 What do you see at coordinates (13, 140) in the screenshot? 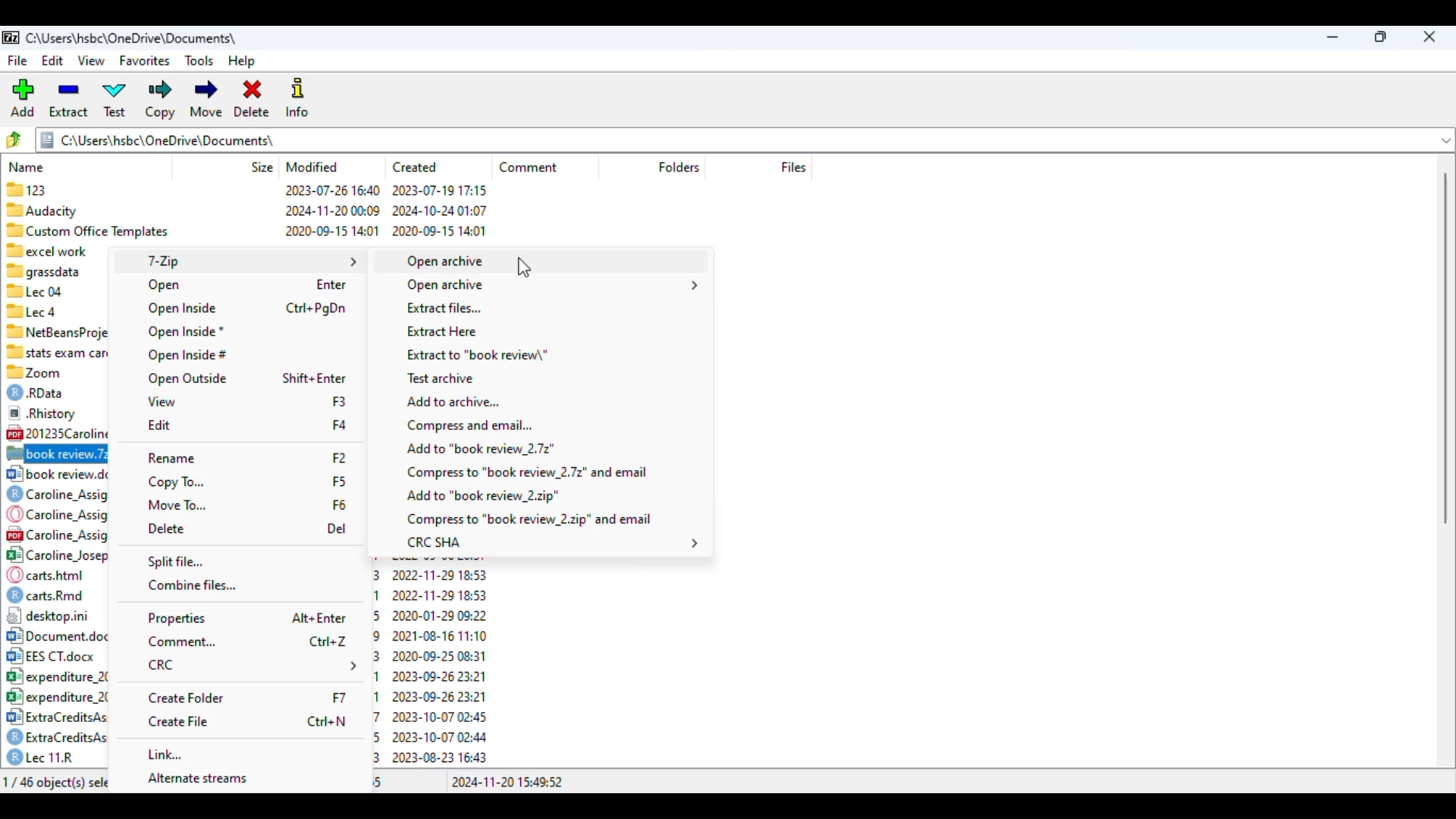
I see `browse folders` at bounding box center [13, 140].